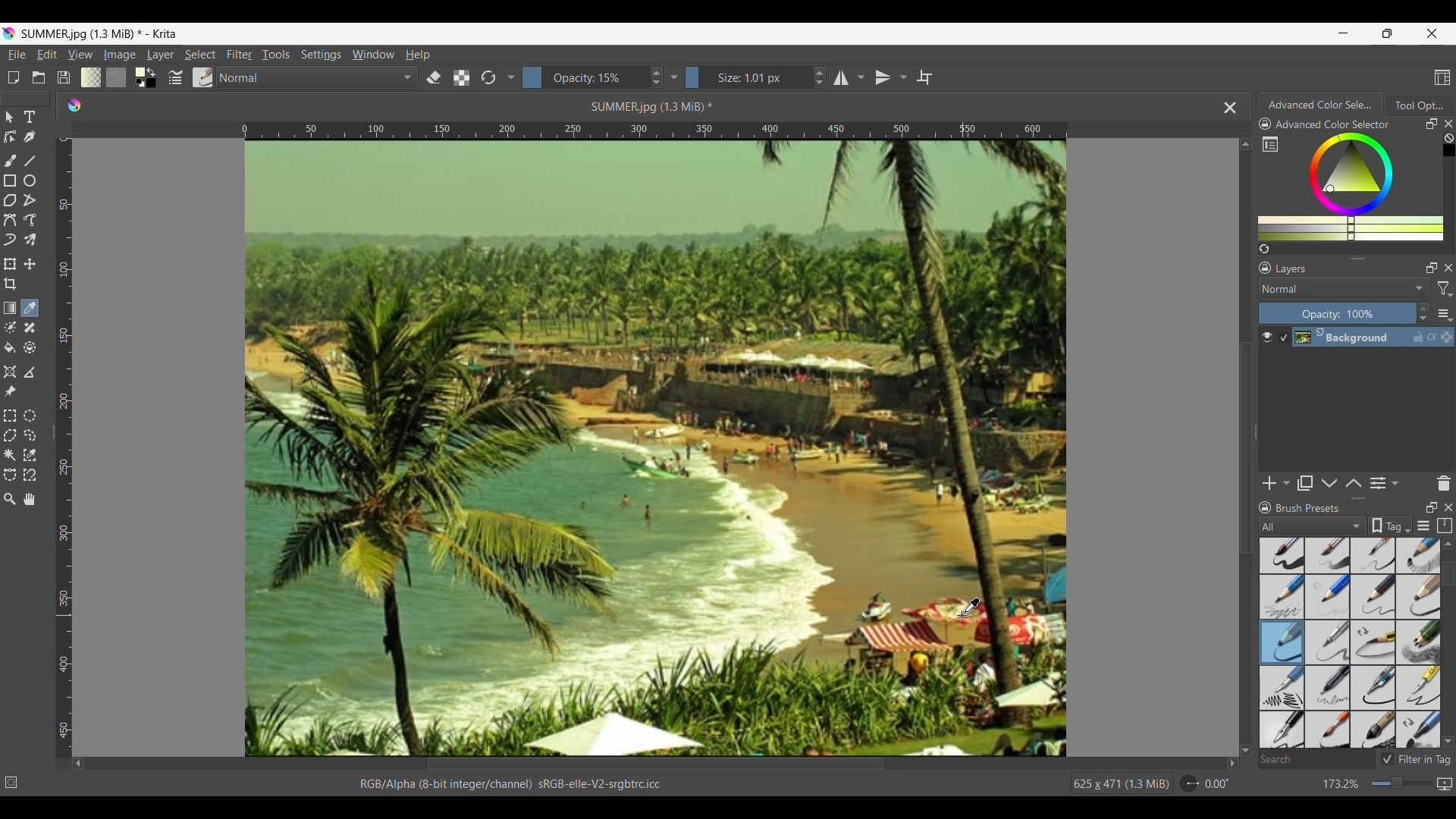  I want to click on Fill gradients, so click(91, 77).